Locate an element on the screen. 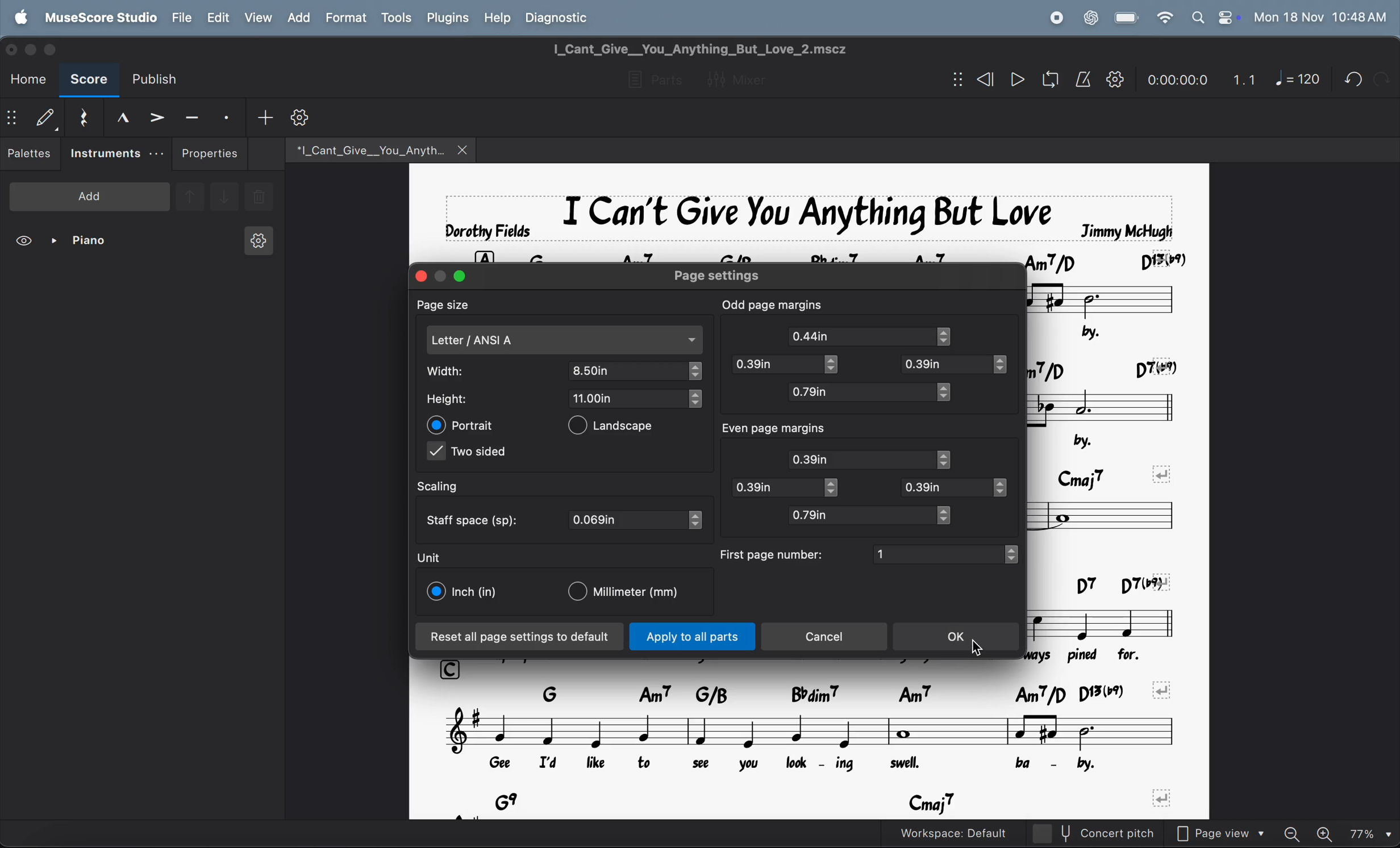 Image resolution: width=1400 pixels, height=848 pixels. page size is located at coordinates (453, 304).